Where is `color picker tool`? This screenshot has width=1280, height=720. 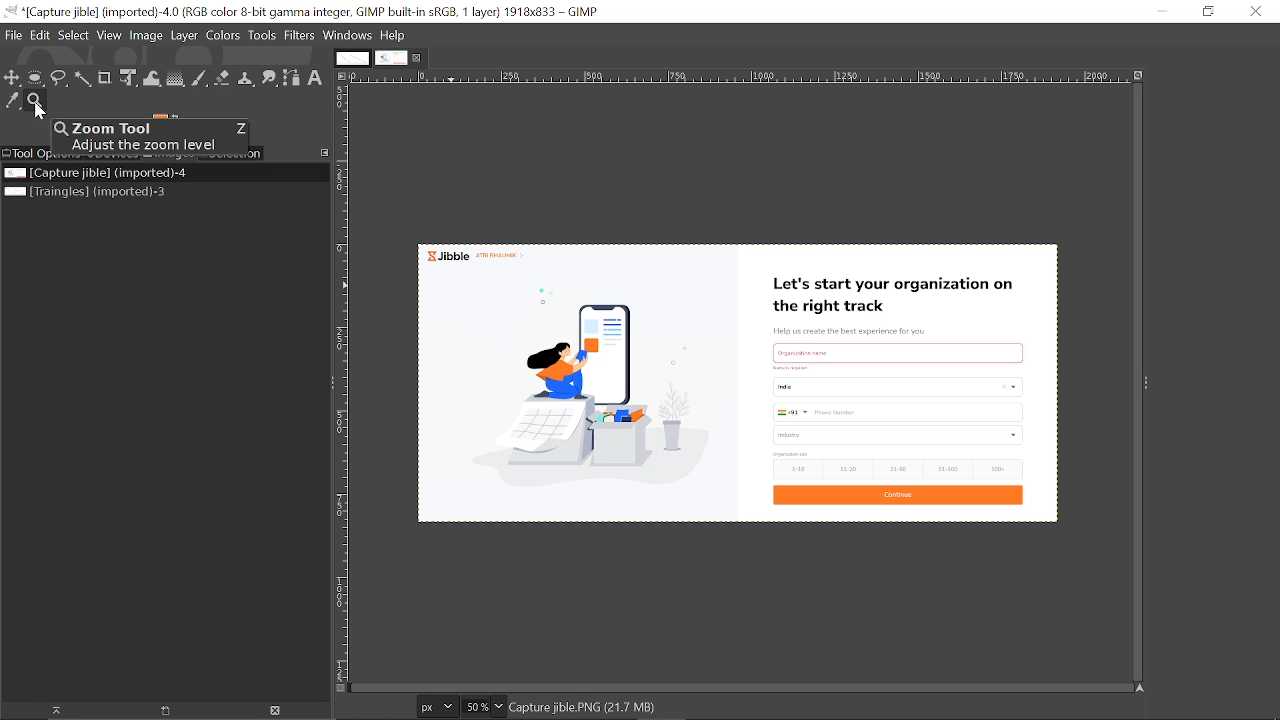
color picker tool is located at coordinates (12, 100).